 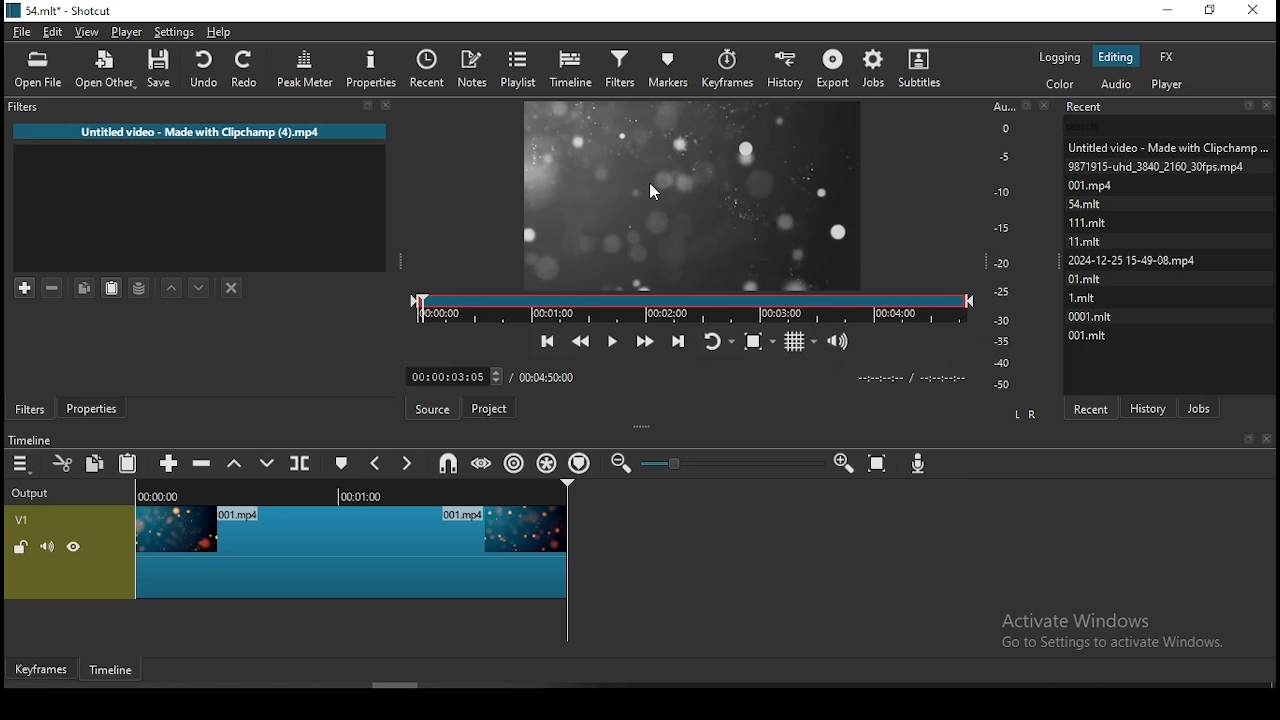 I want to click on toggle player looping, so click(x=717, y=339).